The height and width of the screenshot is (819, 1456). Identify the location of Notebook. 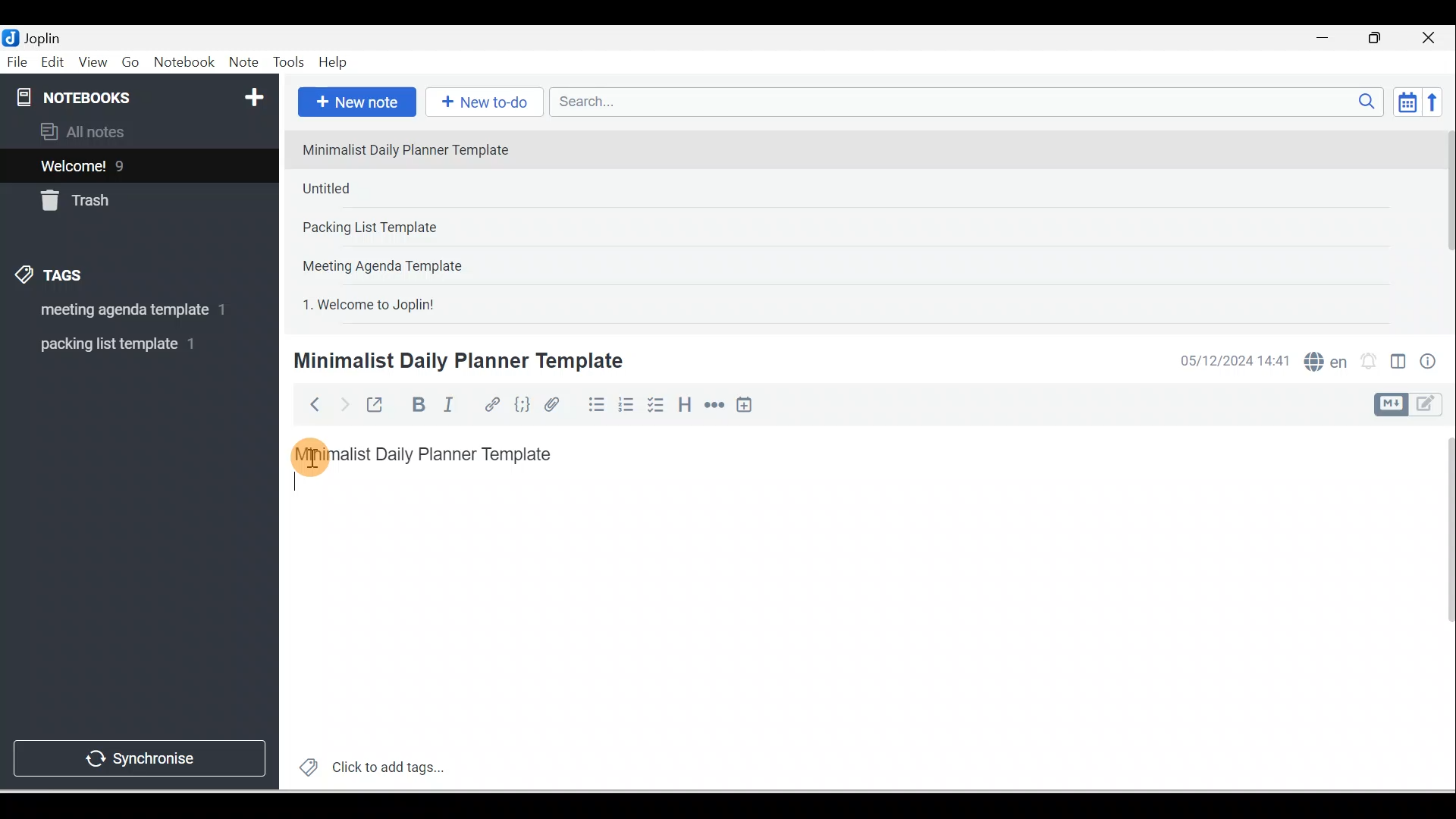
(184, 63).